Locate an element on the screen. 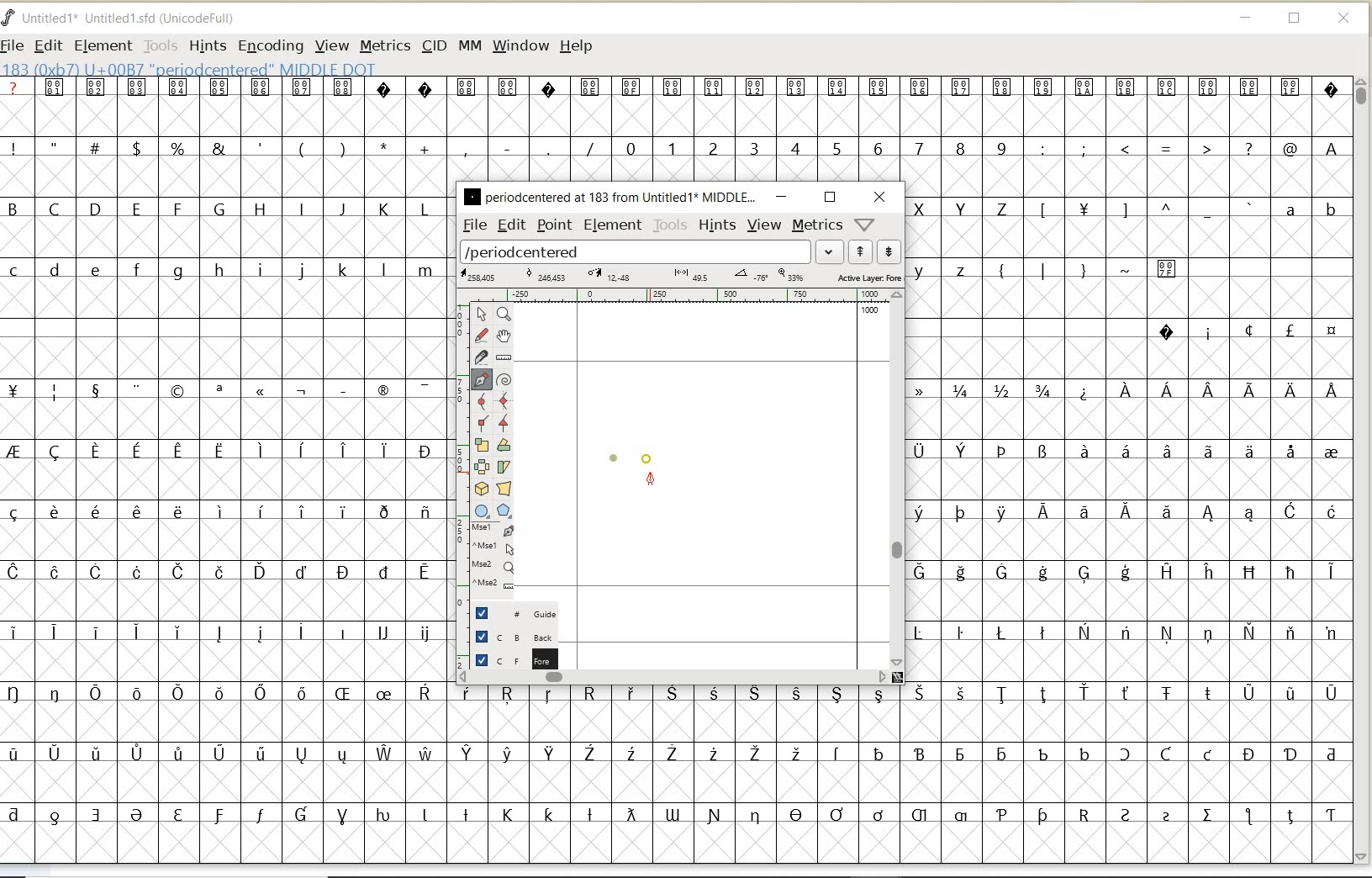 The width and height of the screenshot is (1372, 878). METRICS is located at coordinates (384, 47).